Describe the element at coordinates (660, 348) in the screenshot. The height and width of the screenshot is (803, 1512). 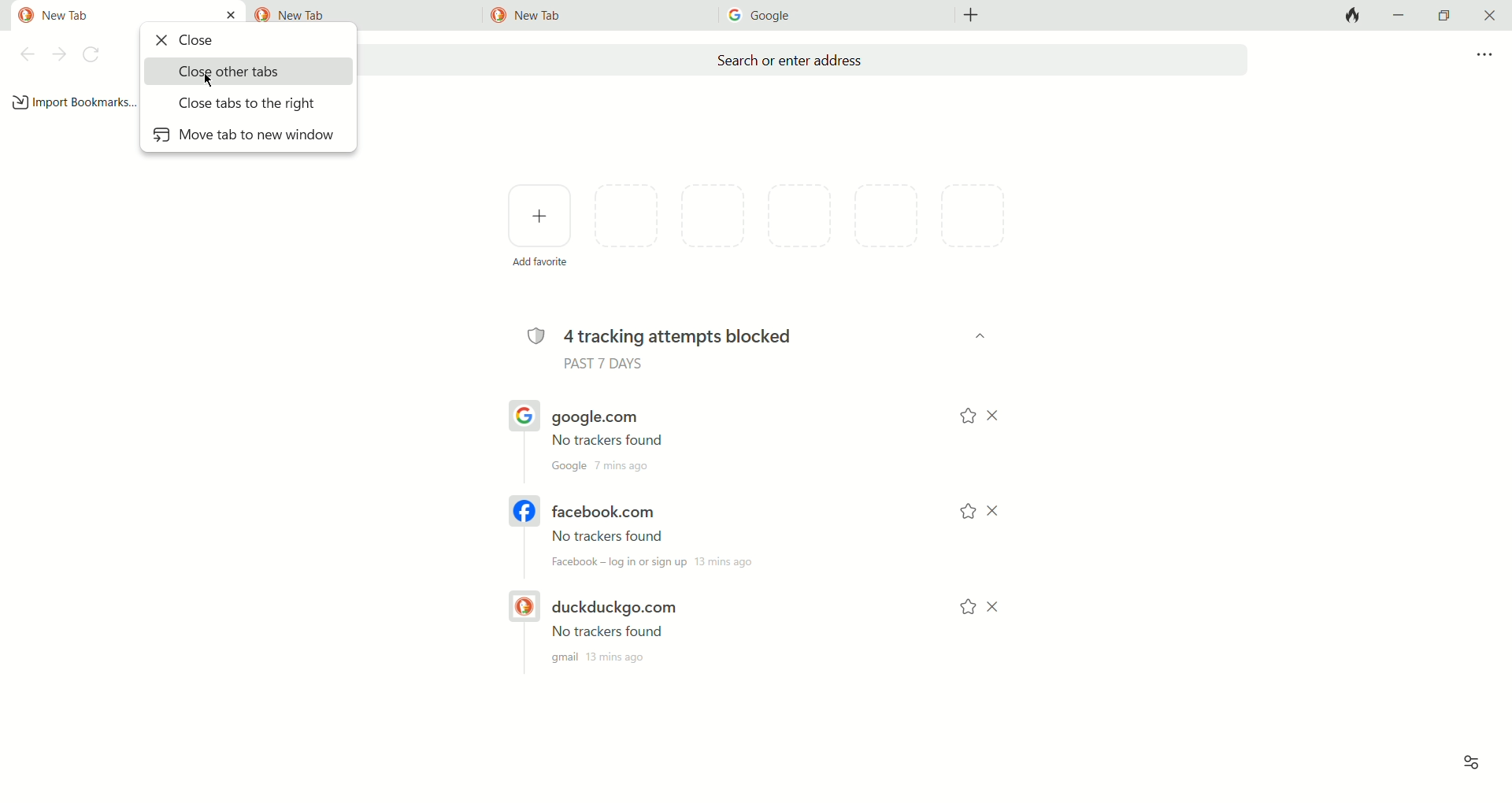
I see `4 tracking attempts blocked` at that location.